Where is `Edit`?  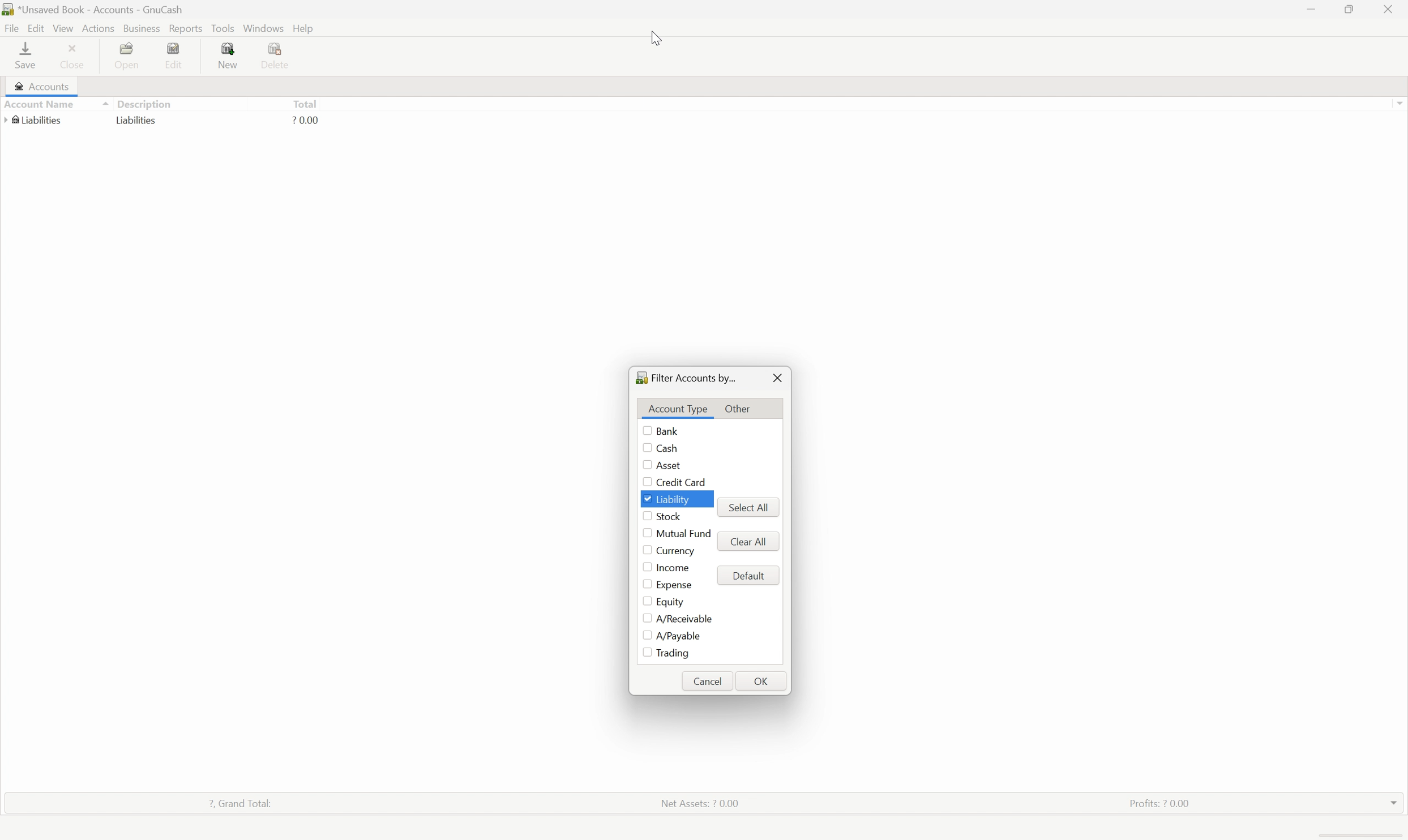 Edit is located at coordinates (176, 55).